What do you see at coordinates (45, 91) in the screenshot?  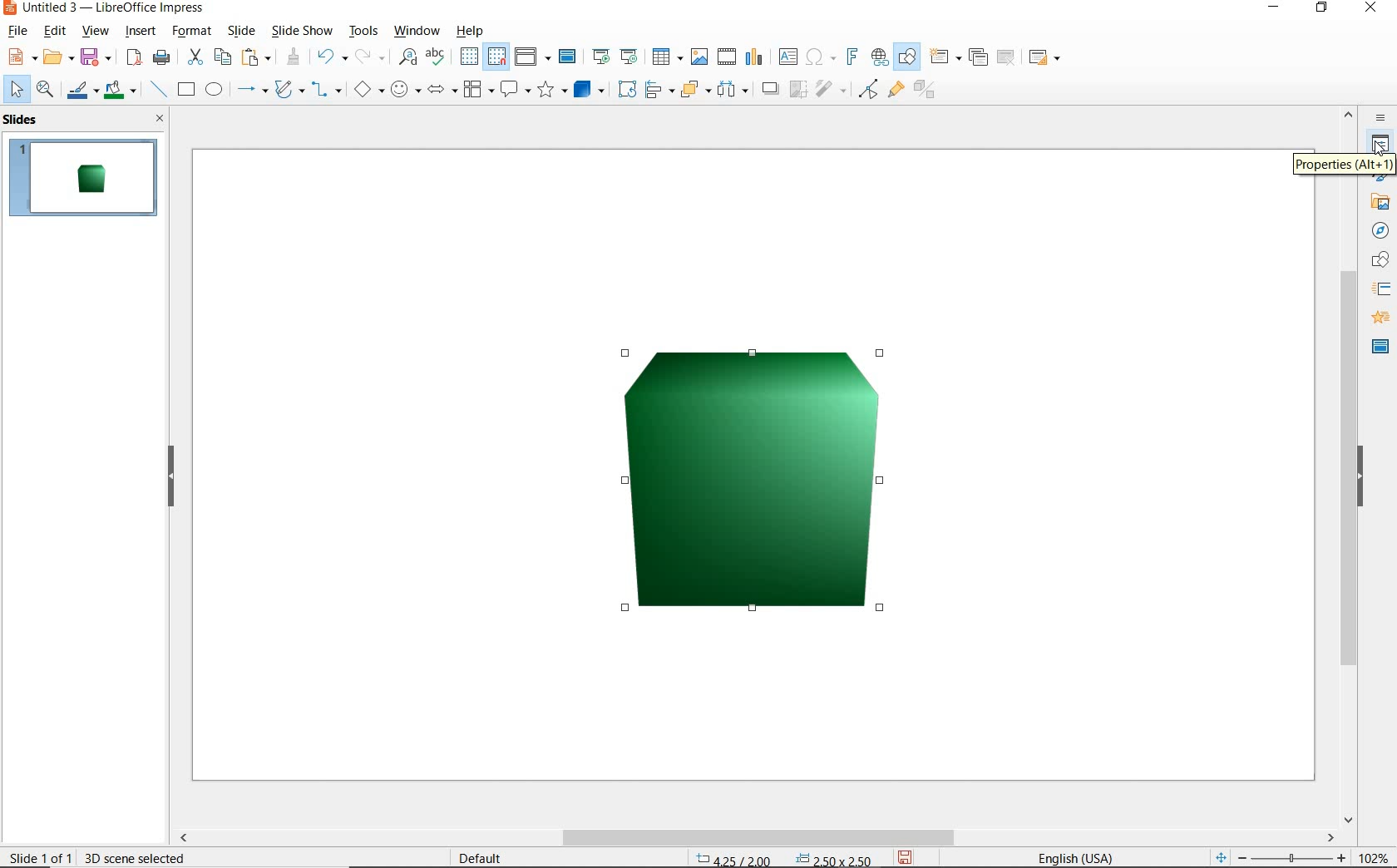 I see `zoom & pan` at bounding box center [45, 91].